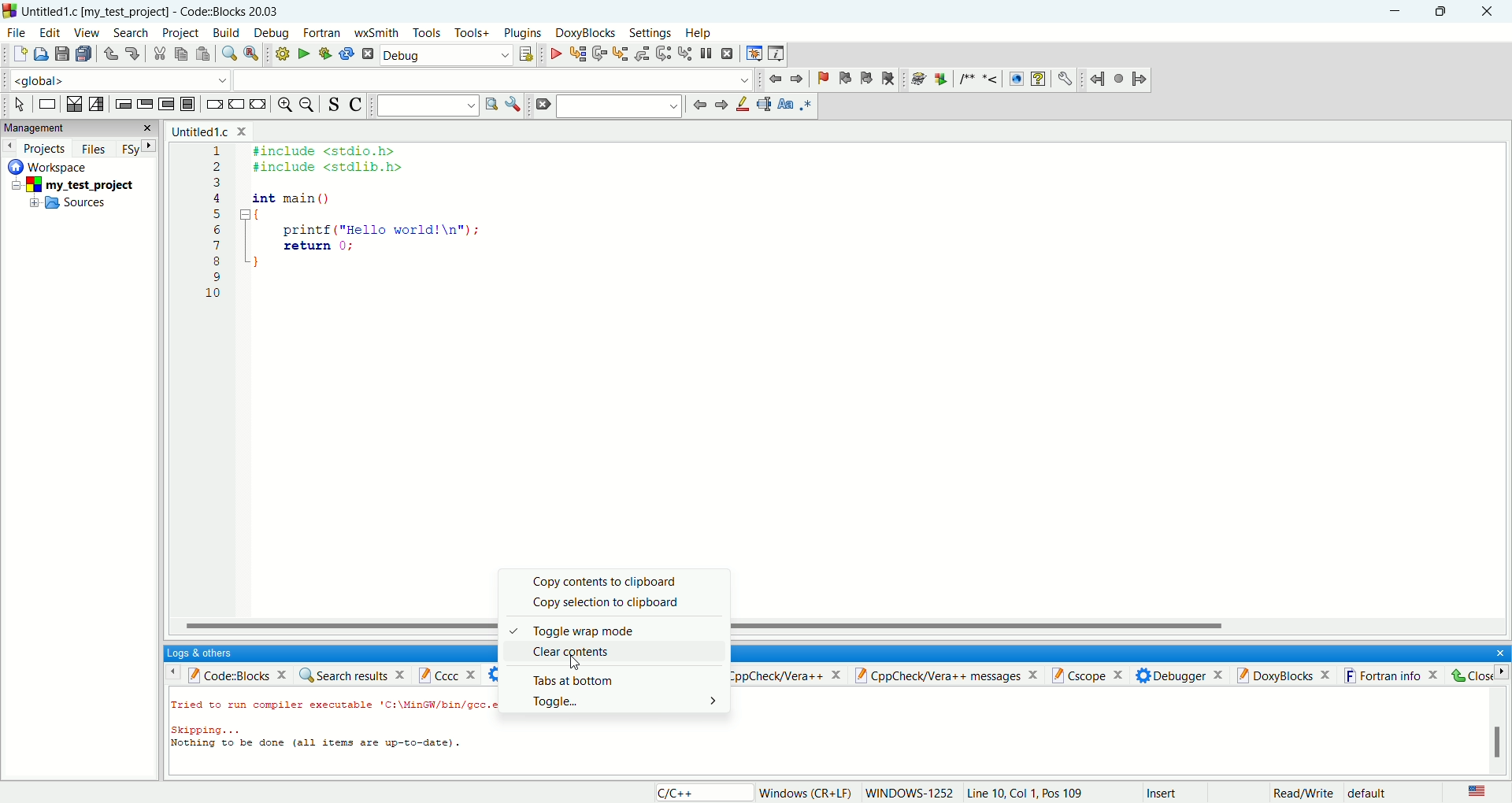 The image size is (1512, 803). I want to click on next jump, so click(1100, 80).